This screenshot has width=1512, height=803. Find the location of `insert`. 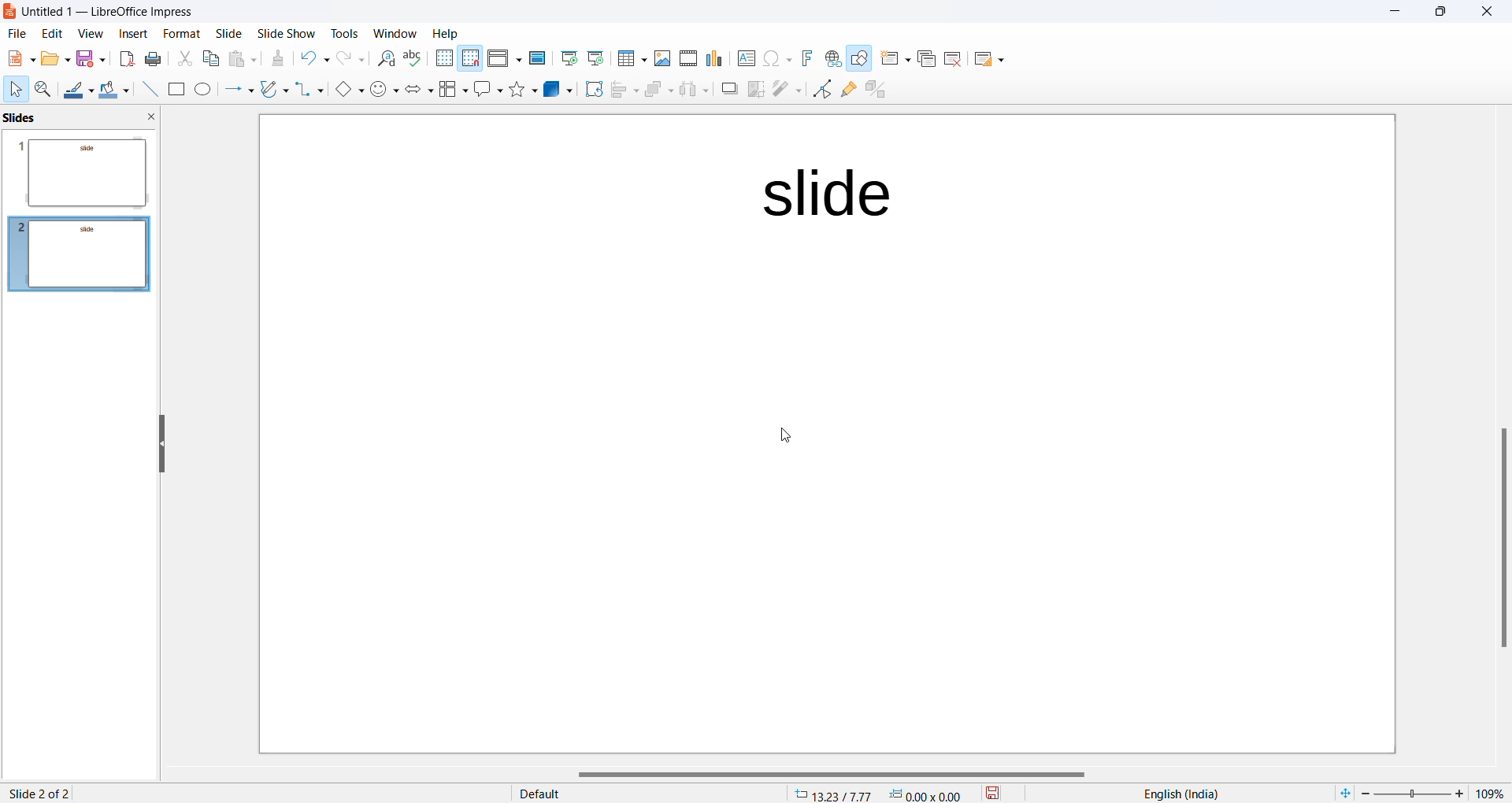

insert is located at coordinates (126, 35).